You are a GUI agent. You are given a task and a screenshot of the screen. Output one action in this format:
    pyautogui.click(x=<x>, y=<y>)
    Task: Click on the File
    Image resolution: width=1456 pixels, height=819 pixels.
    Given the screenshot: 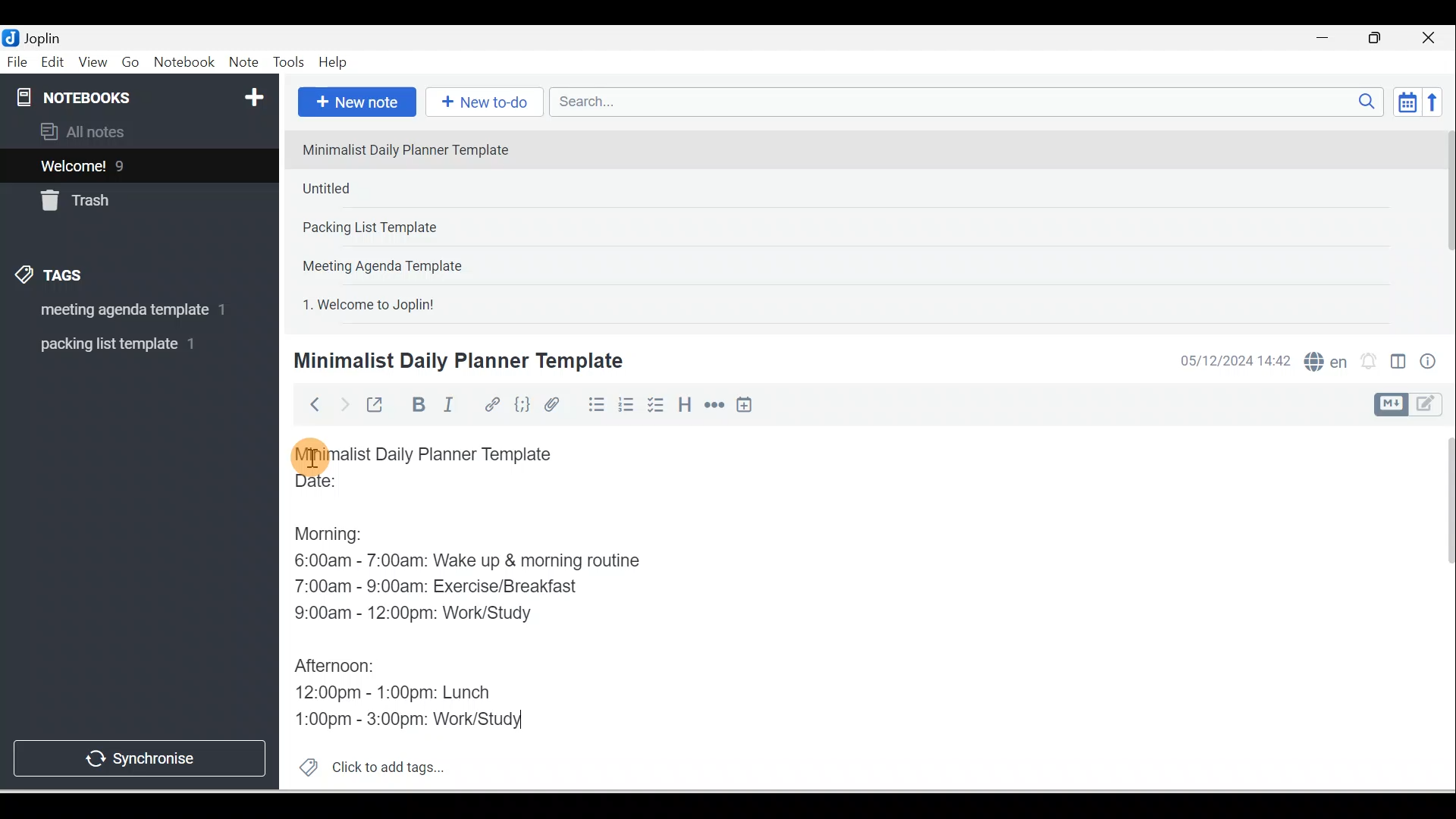 What is the action you would take?
    pyautogui.click(x=18, y=61)
    